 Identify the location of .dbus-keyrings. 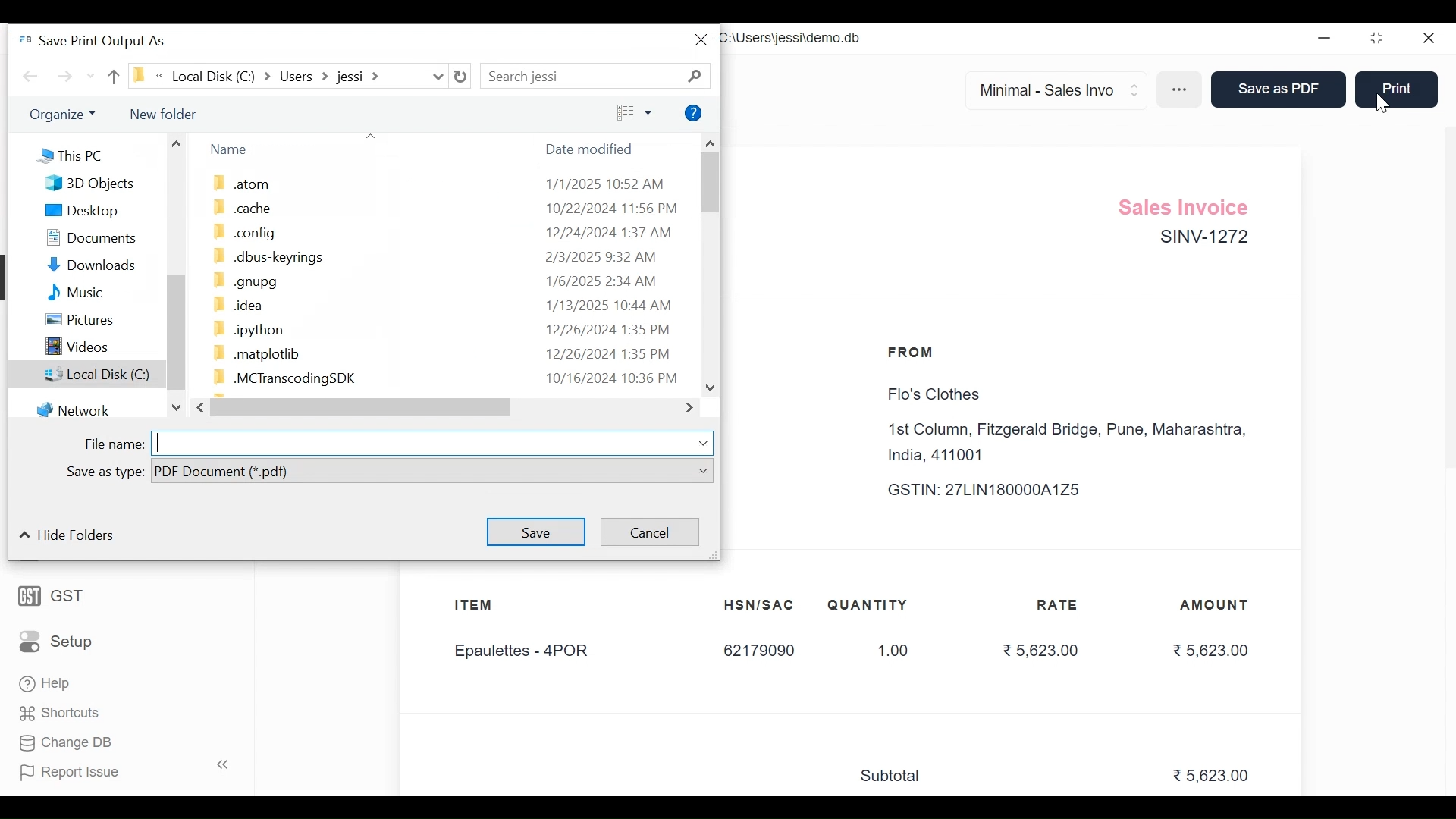
(269, 257).